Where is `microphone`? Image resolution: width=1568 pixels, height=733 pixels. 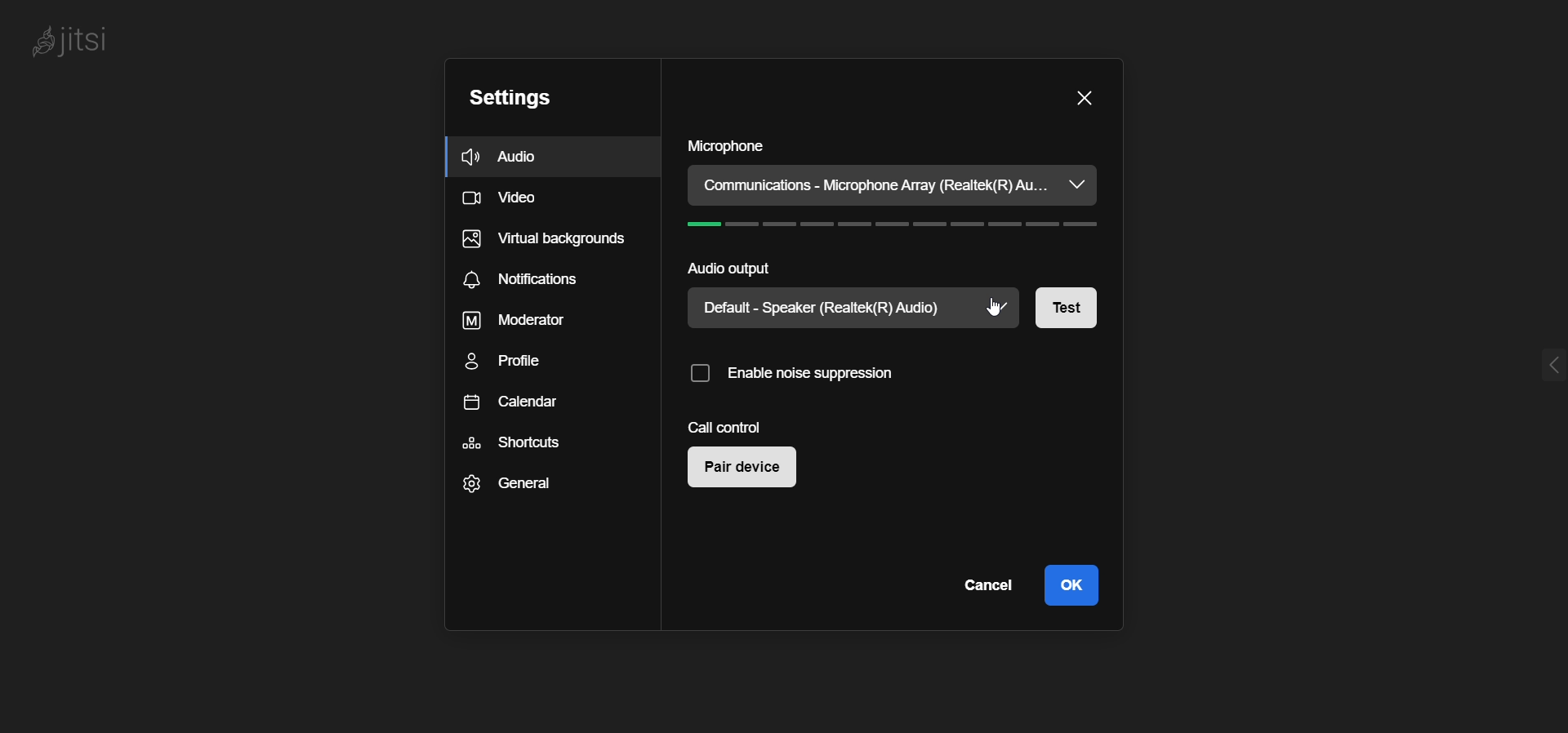 microphone is located at coordinates (726, 147).